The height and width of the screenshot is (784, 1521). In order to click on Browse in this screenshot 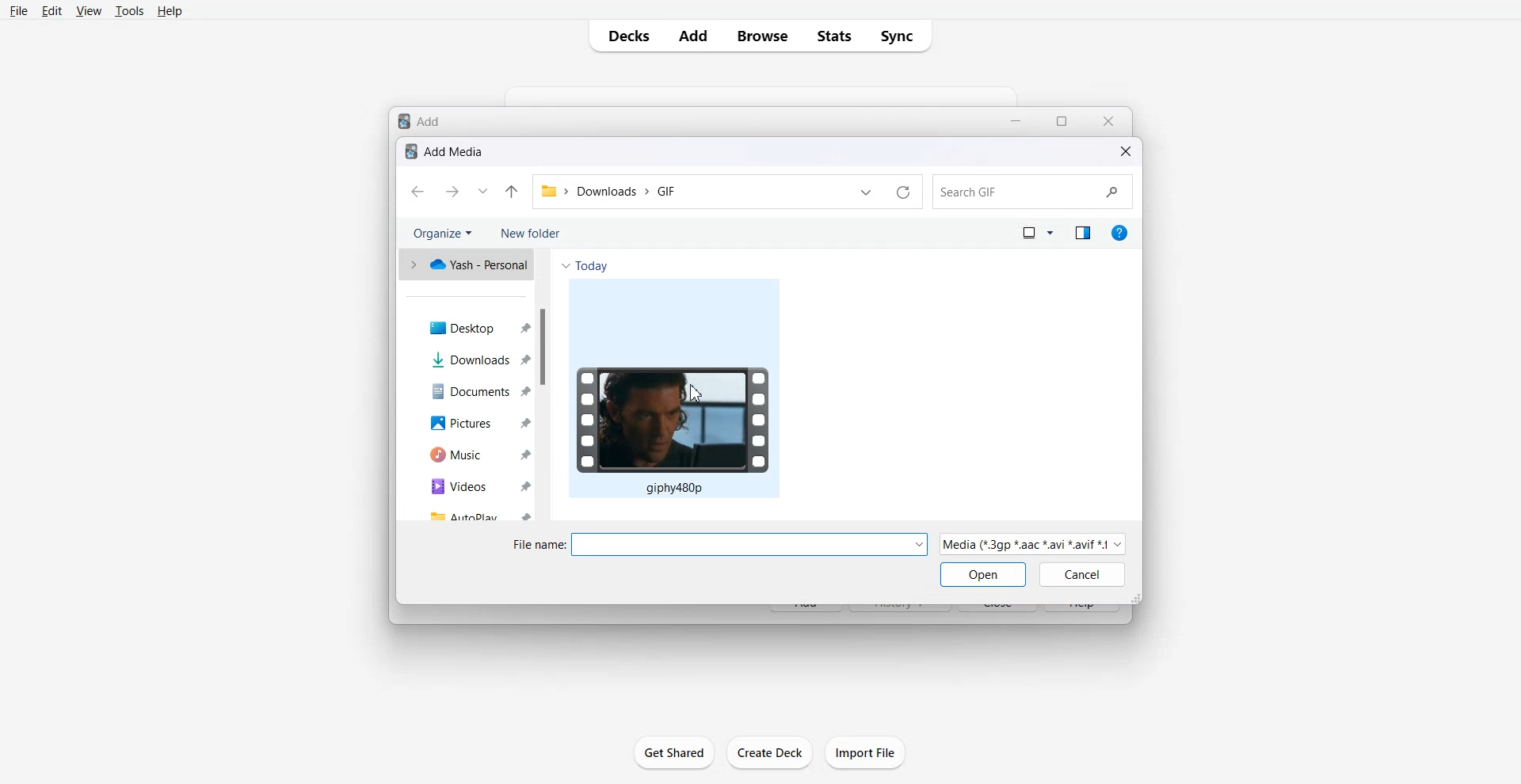, I will do `click(760, 36)`.